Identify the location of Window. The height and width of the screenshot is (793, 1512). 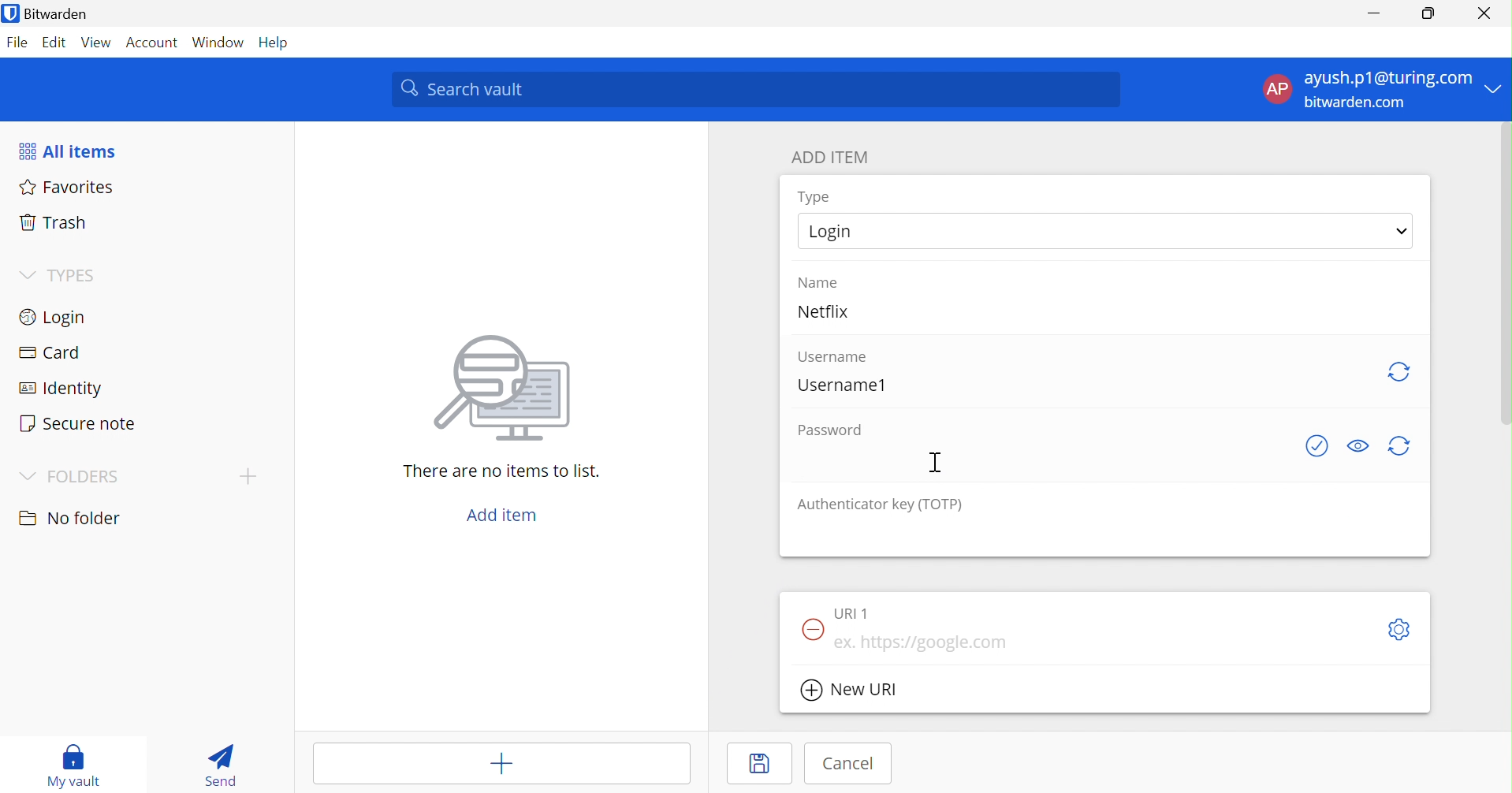
(218, 43).